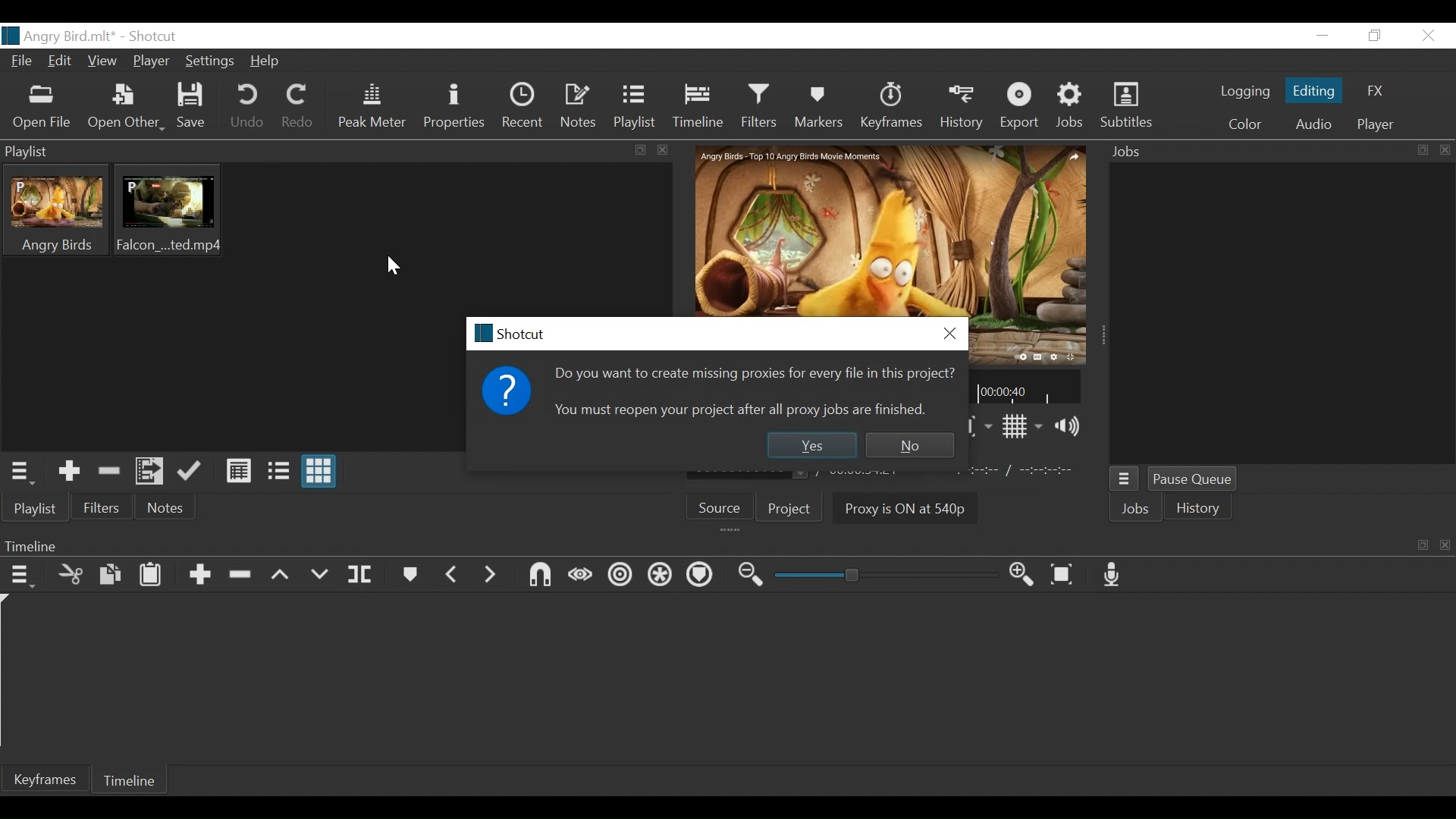  What do you see at coordinates (1021, 106) in the screenshot?
I see `Export` at bounding box center [1021, 106].